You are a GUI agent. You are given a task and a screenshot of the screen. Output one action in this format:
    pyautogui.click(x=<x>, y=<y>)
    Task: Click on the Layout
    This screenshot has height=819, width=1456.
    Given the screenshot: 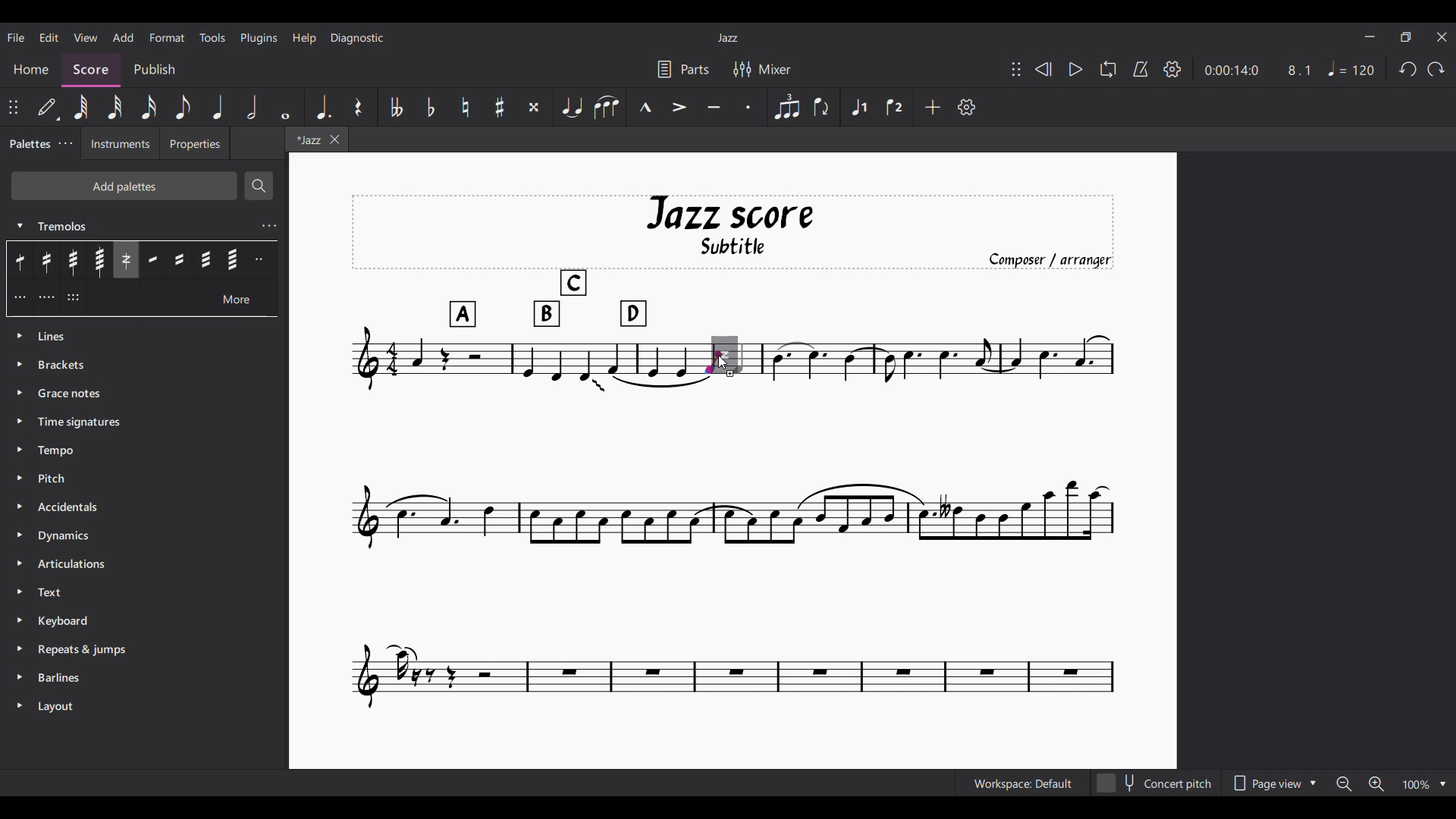 What is the action you would take?
    pyautogui.click(x=142, y=708)
    